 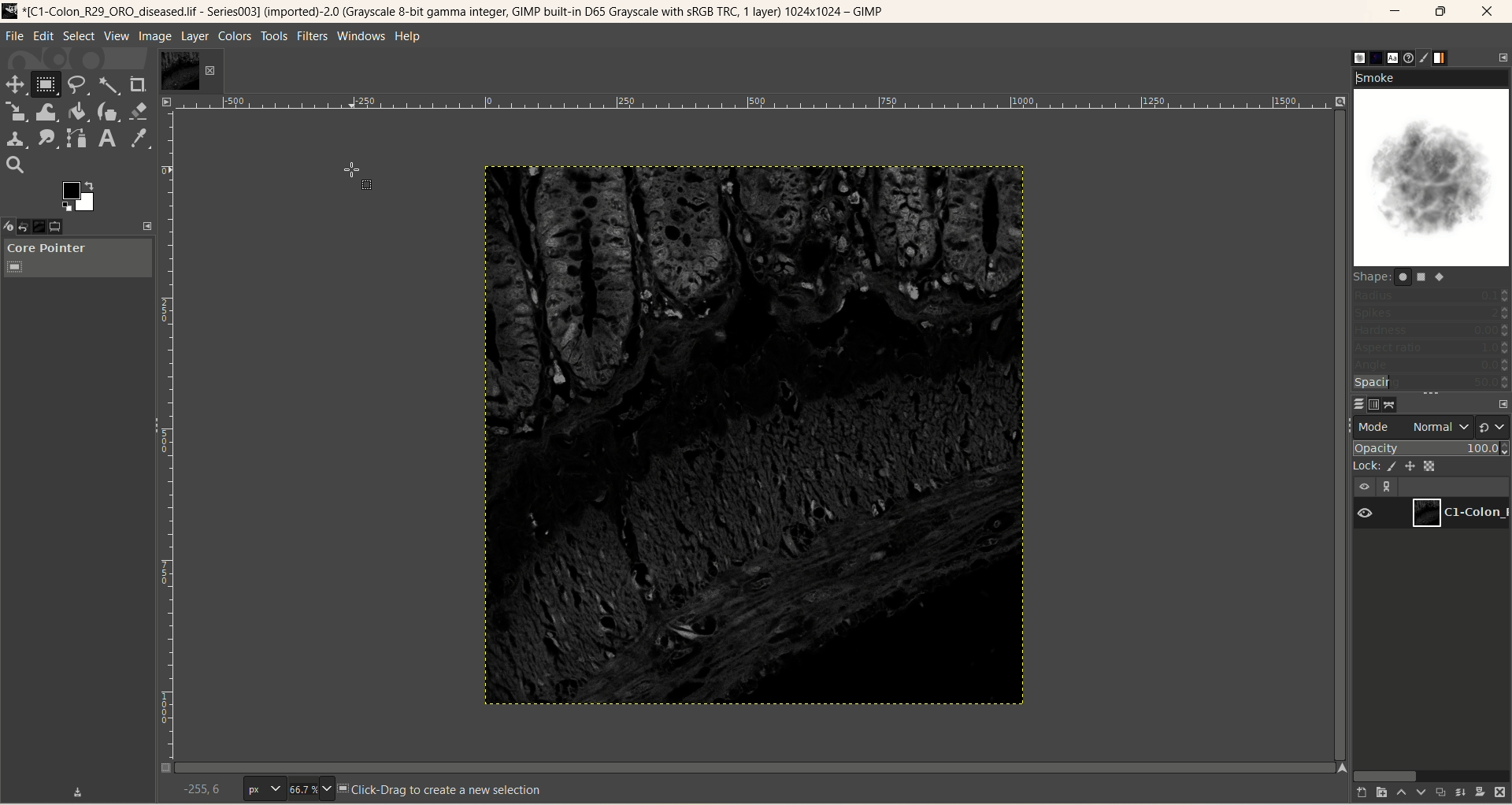 What do you see at coordinates (1358, 405) in the screenshot?
I see `layers` at bounding box center [1358, 405].